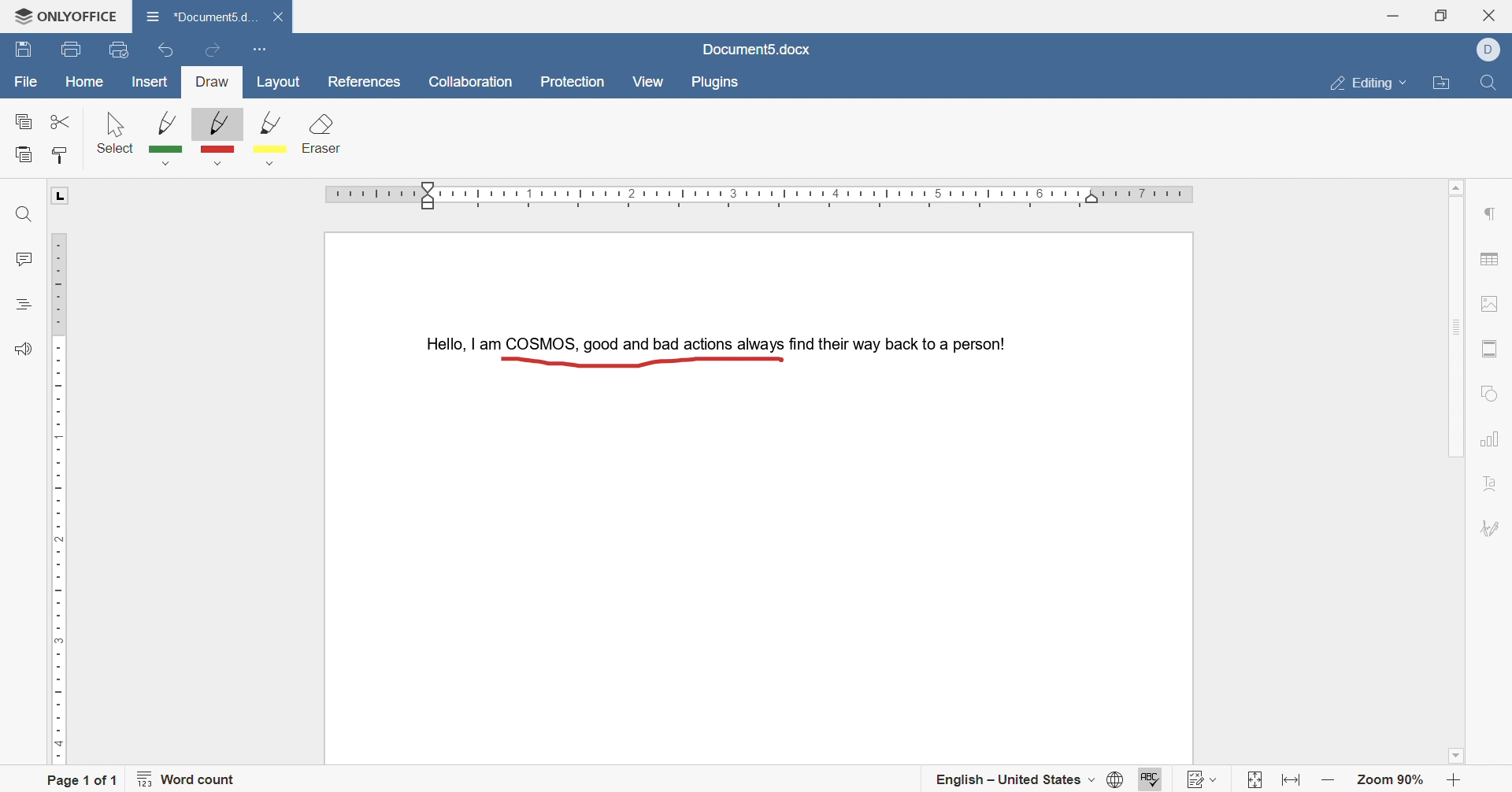 The height and width of the screenshot is (792, 1512). Describe the element at coordinates (282, 17) in the screenshot. I see `close` at that location.